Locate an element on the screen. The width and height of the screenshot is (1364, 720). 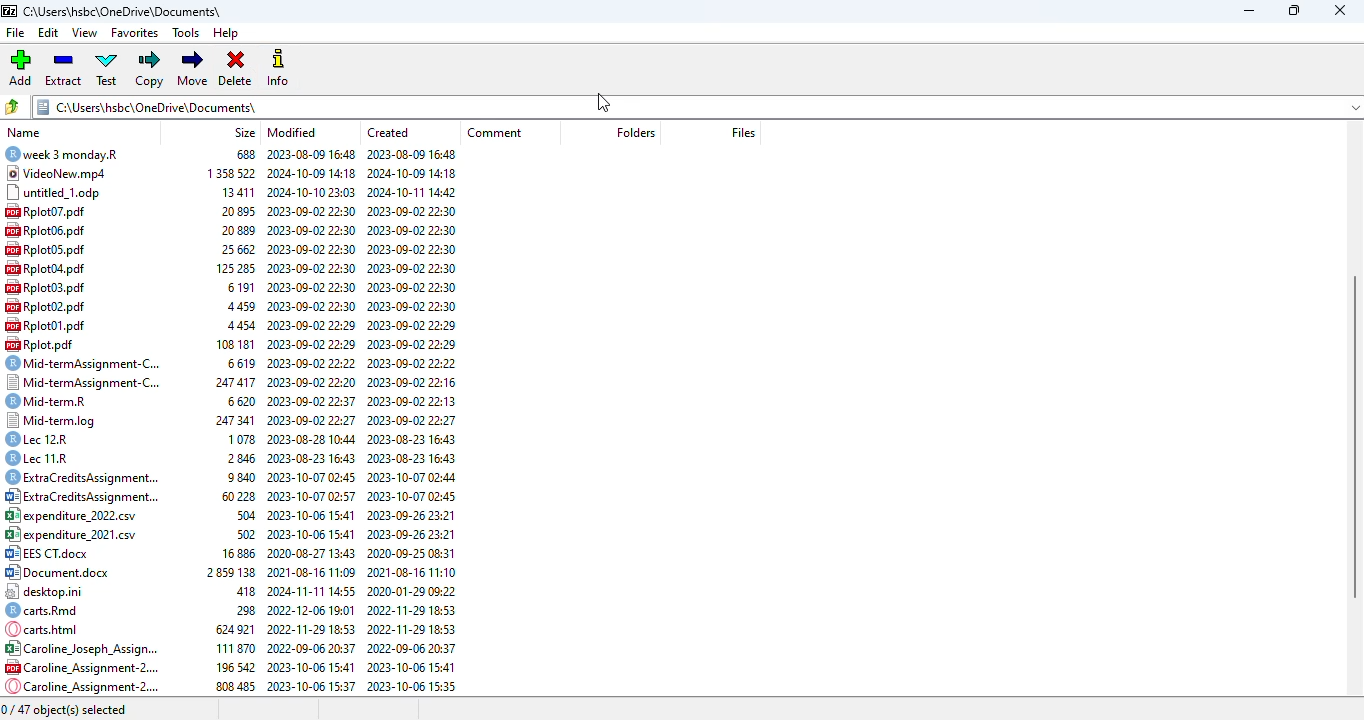
2023-08-09 16:48 is located at coordinates (314, 154).